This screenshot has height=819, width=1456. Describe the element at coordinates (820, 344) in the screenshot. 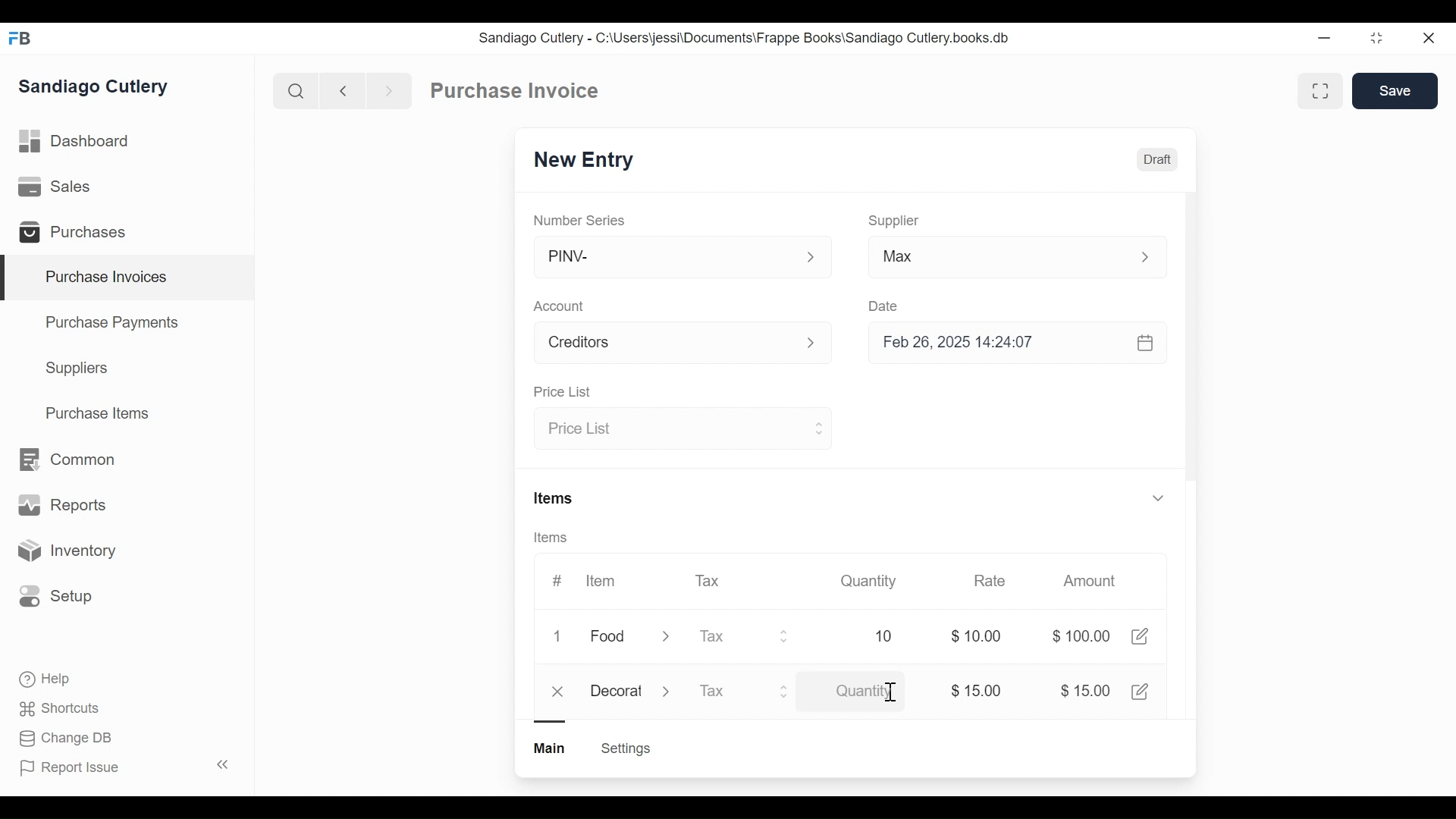

I see `Expand` at that location.